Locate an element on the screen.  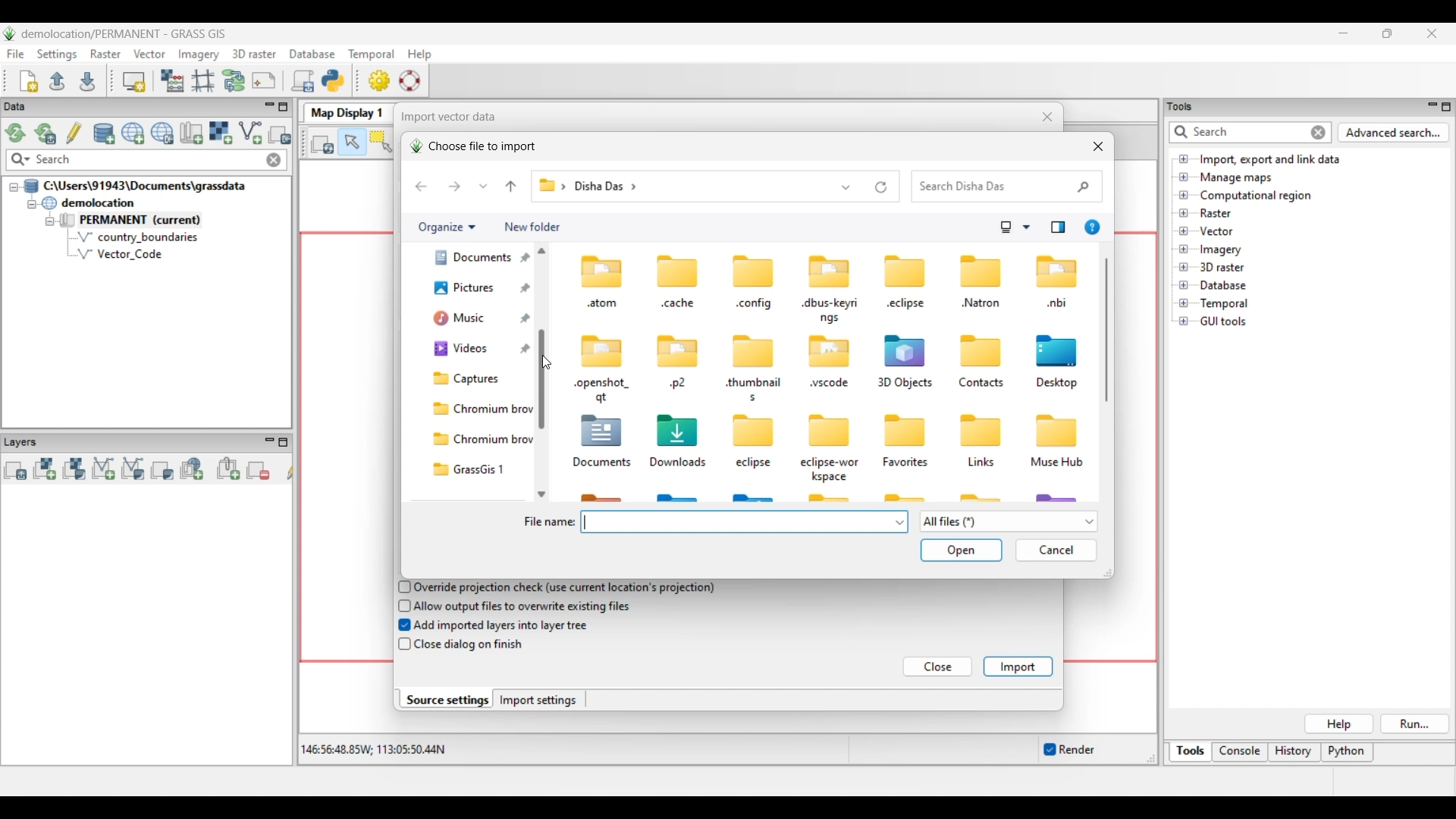
Go forward is located at coordinates (454, 186).